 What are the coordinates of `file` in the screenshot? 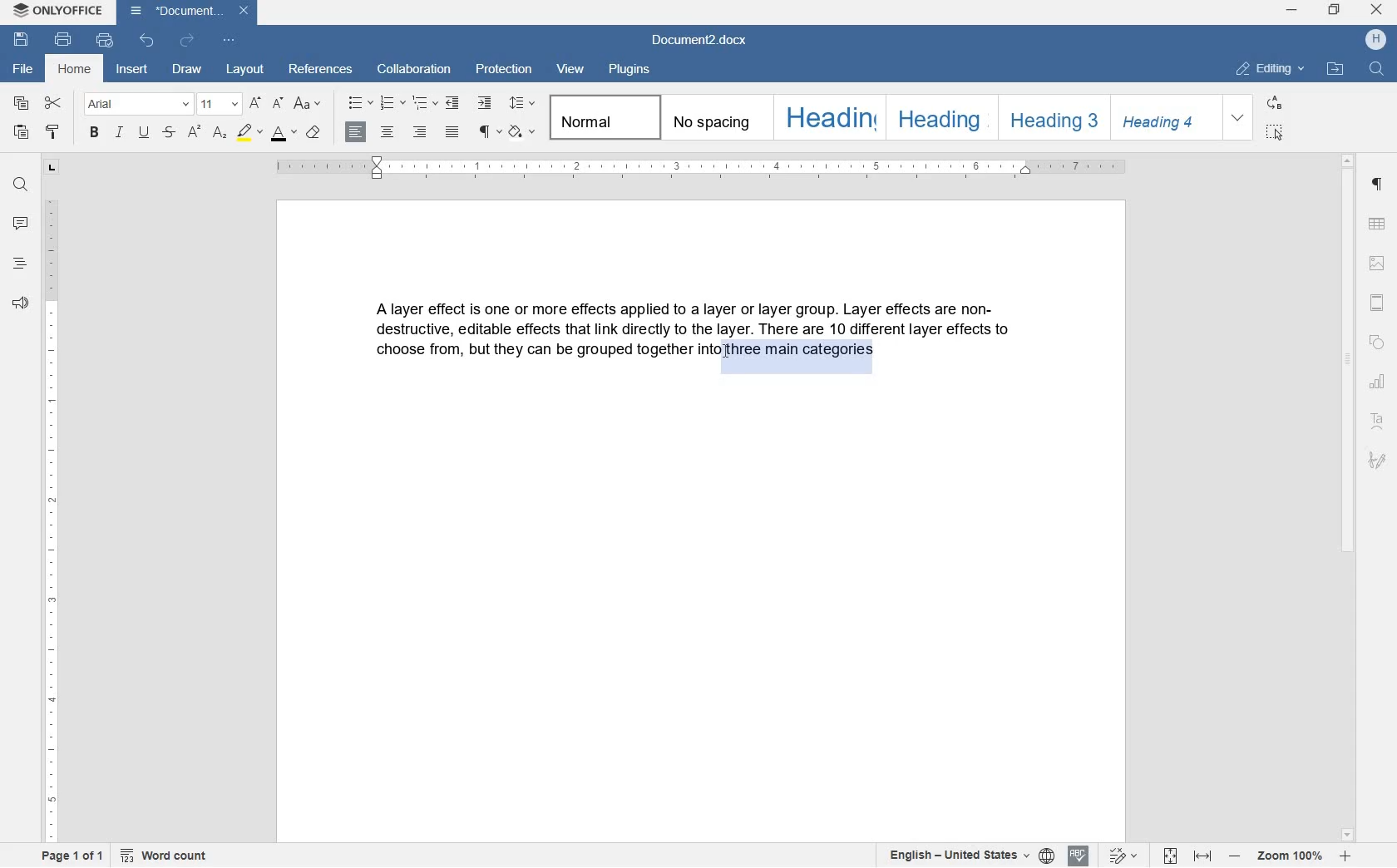 It's located at (21, 69).